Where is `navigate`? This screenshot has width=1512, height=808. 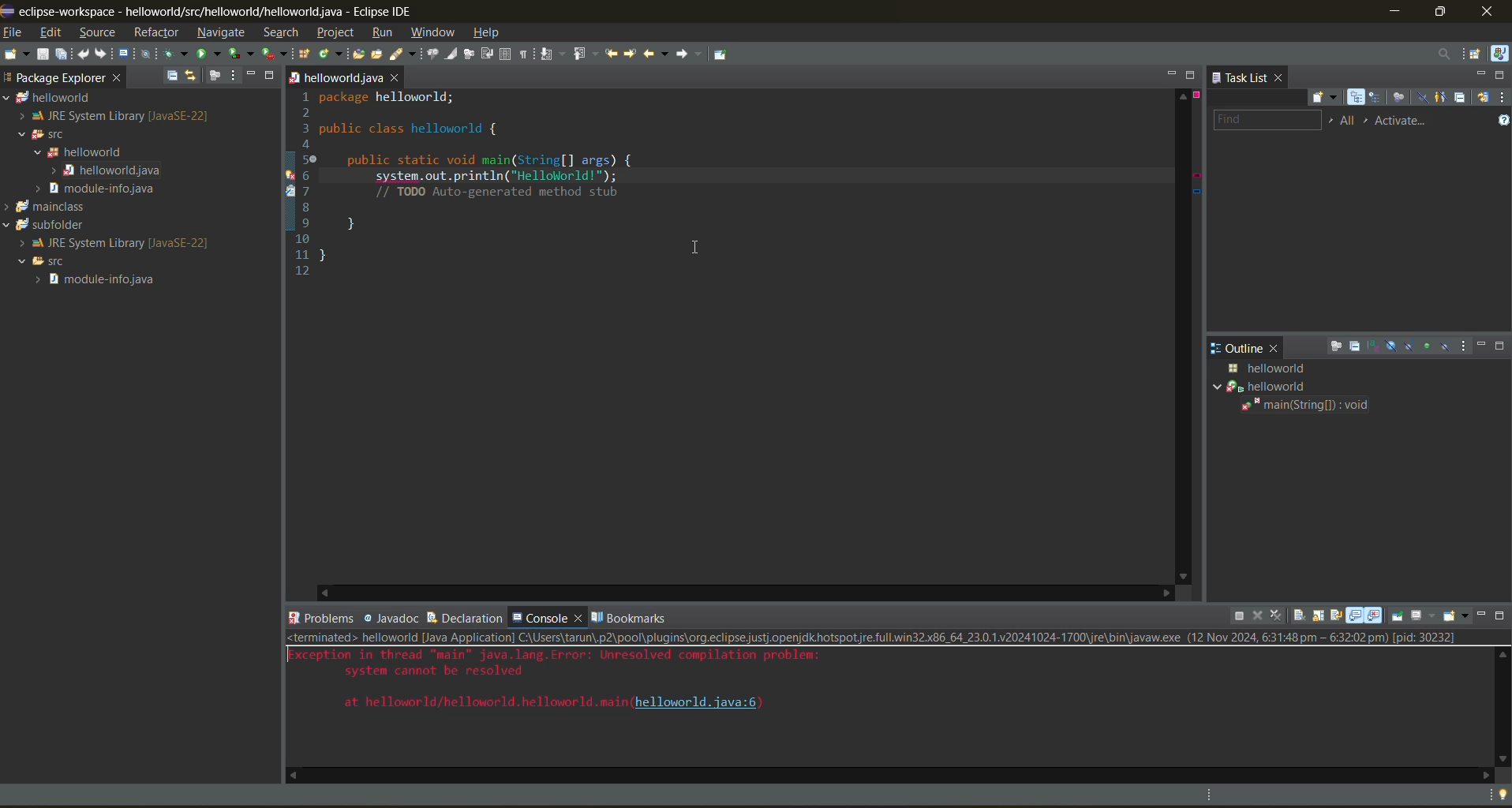 navigate is located at coordinates (220, 34).